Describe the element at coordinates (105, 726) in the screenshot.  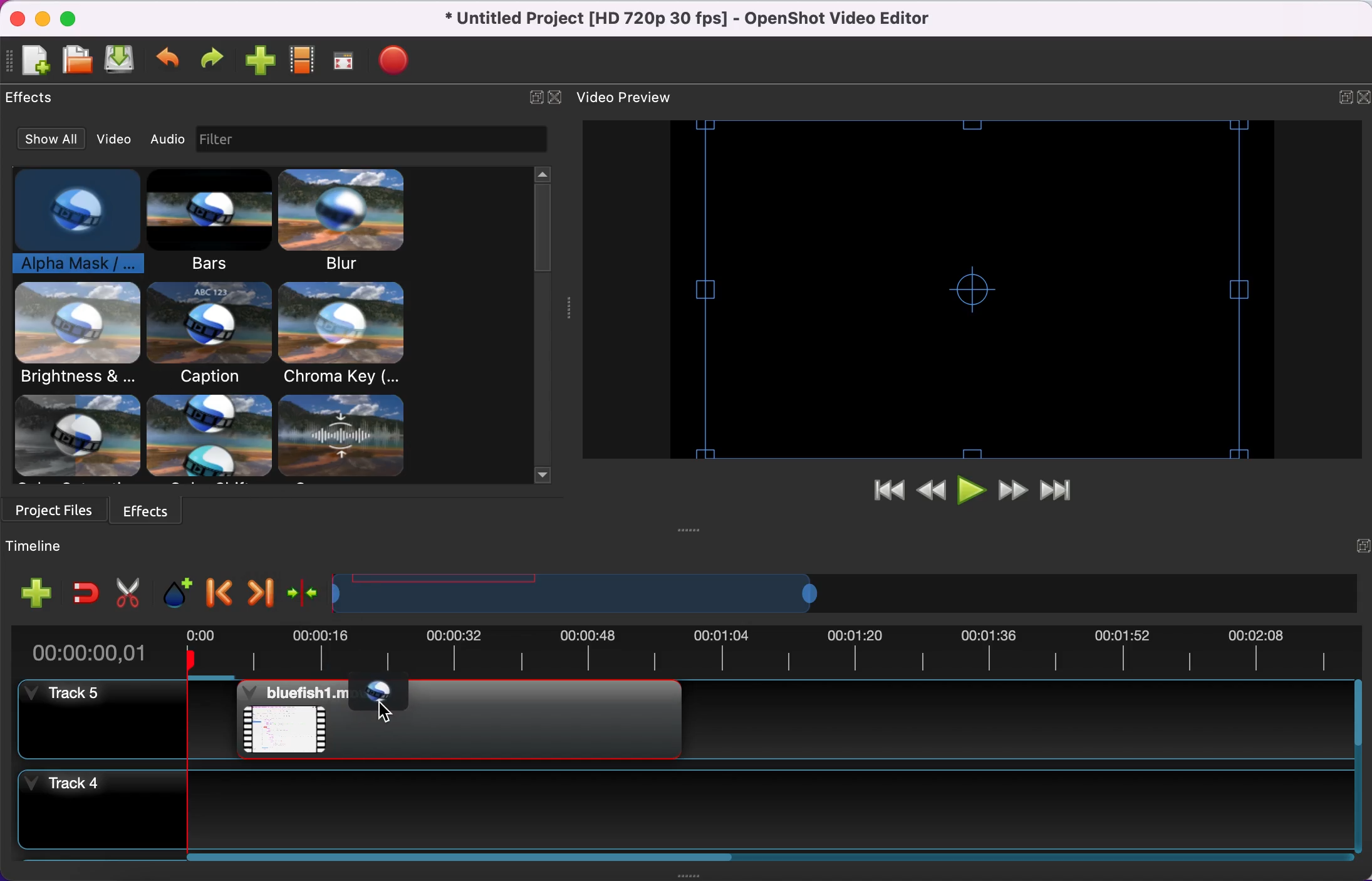
I see `track 5` at that location.